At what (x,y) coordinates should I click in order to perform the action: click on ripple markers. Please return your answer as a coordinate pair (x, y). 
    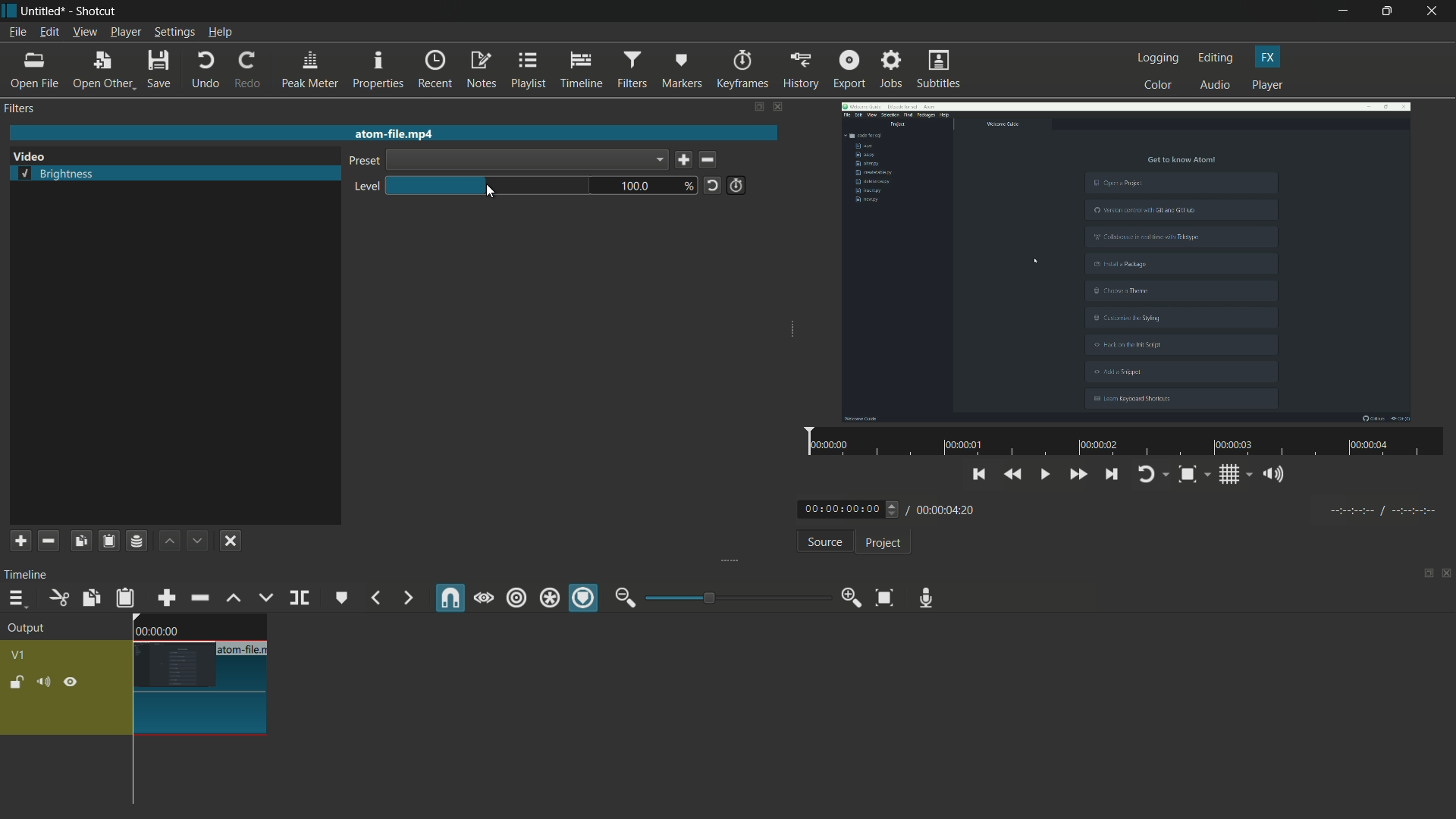
    Looking at the image, I should click on (585, 599).